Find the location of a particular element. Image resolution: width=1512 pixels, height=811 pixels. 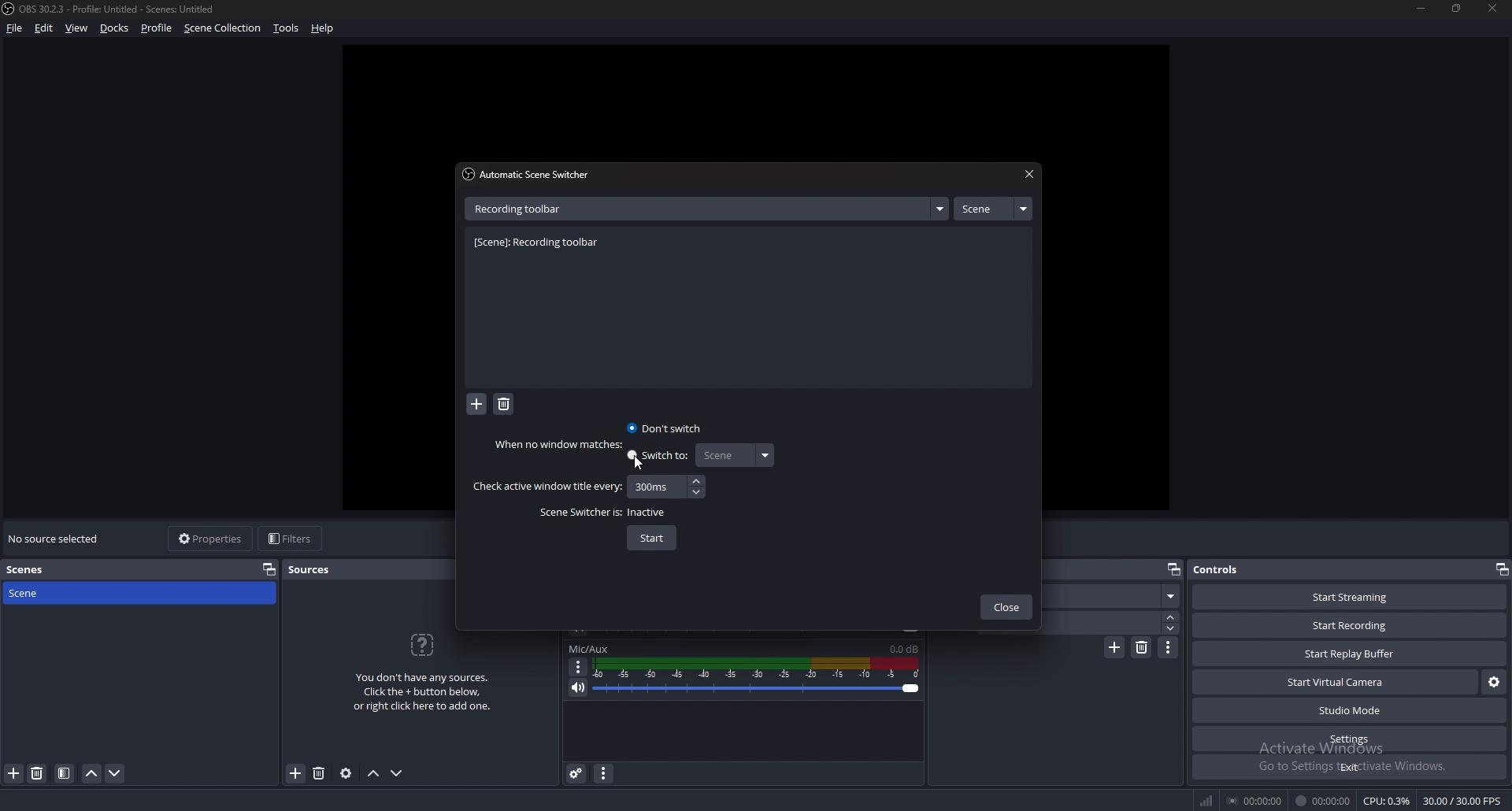

advanced audio properties is located at coordinates (576, 772).